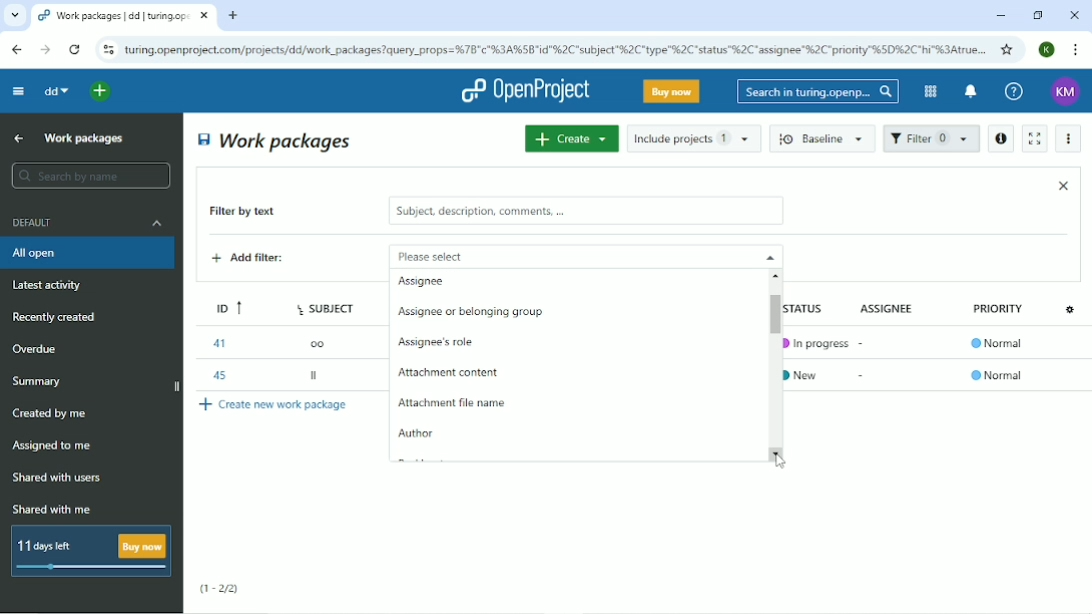 The height and width of the screenshot is (614, 1092). Describe the element at coordinates (442, 340) in the screenshot. I see `Assignee's role` at that location.